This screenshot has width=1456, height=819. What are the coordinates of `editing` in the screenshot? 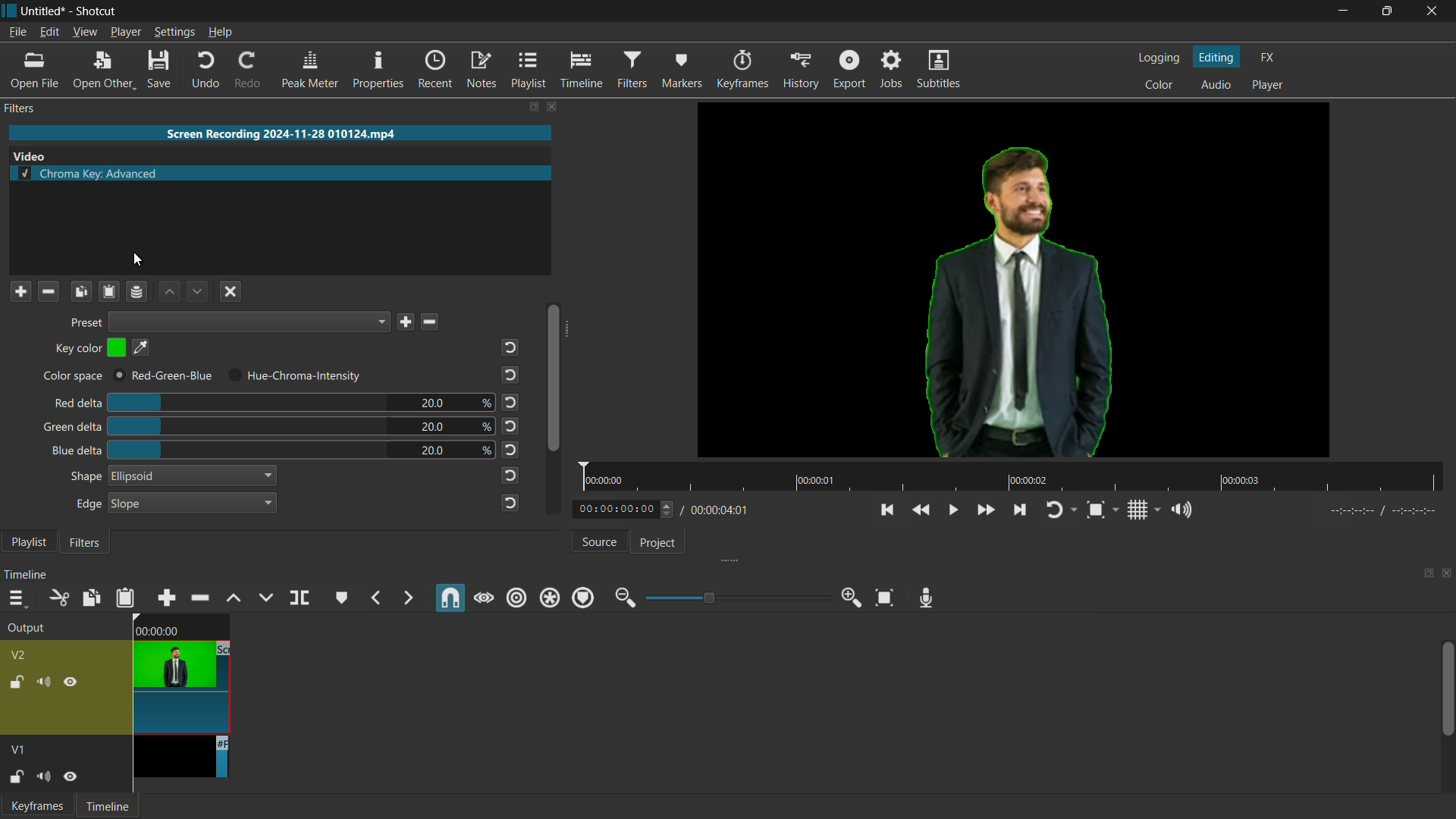 It's located at (1216, 56).